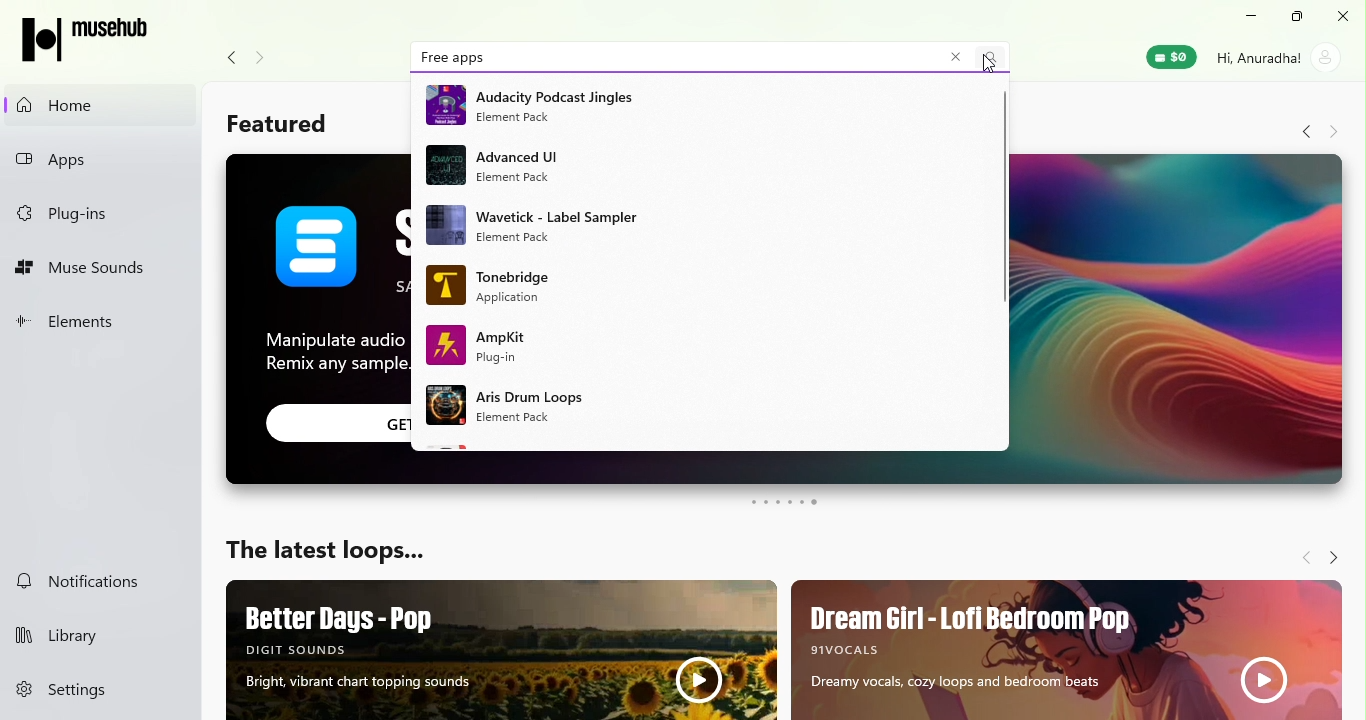  What do you see at coordinates (1331, 552) in the screenshot?
I see `Navigate forward` at bounding box center [1331, 552].